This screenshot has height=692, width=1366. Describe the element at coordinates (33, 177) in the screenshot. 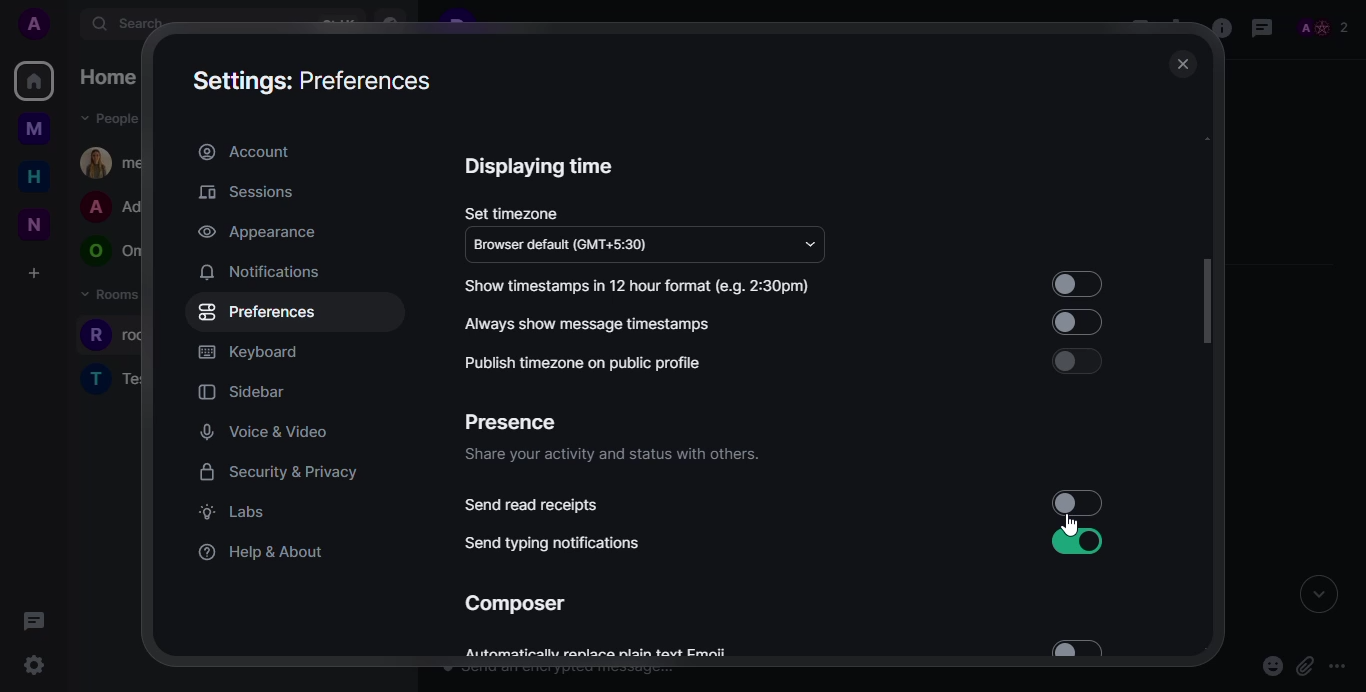

I see `home` at that location.